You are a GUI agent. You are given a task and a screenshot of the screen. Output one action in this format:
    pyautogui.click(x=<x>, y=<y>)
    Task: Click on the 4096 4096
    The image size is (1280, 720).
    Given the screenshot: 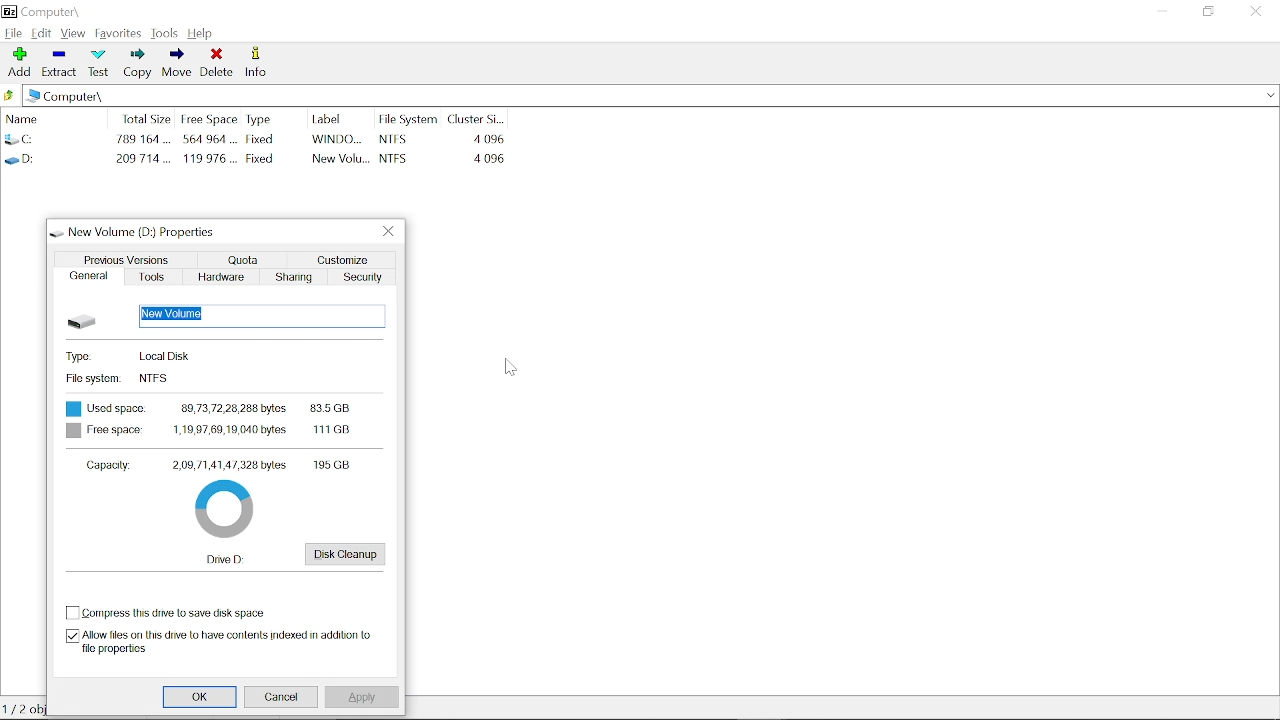 What is the action you would take?
    pyautogui.click(x=487, y=148)
    